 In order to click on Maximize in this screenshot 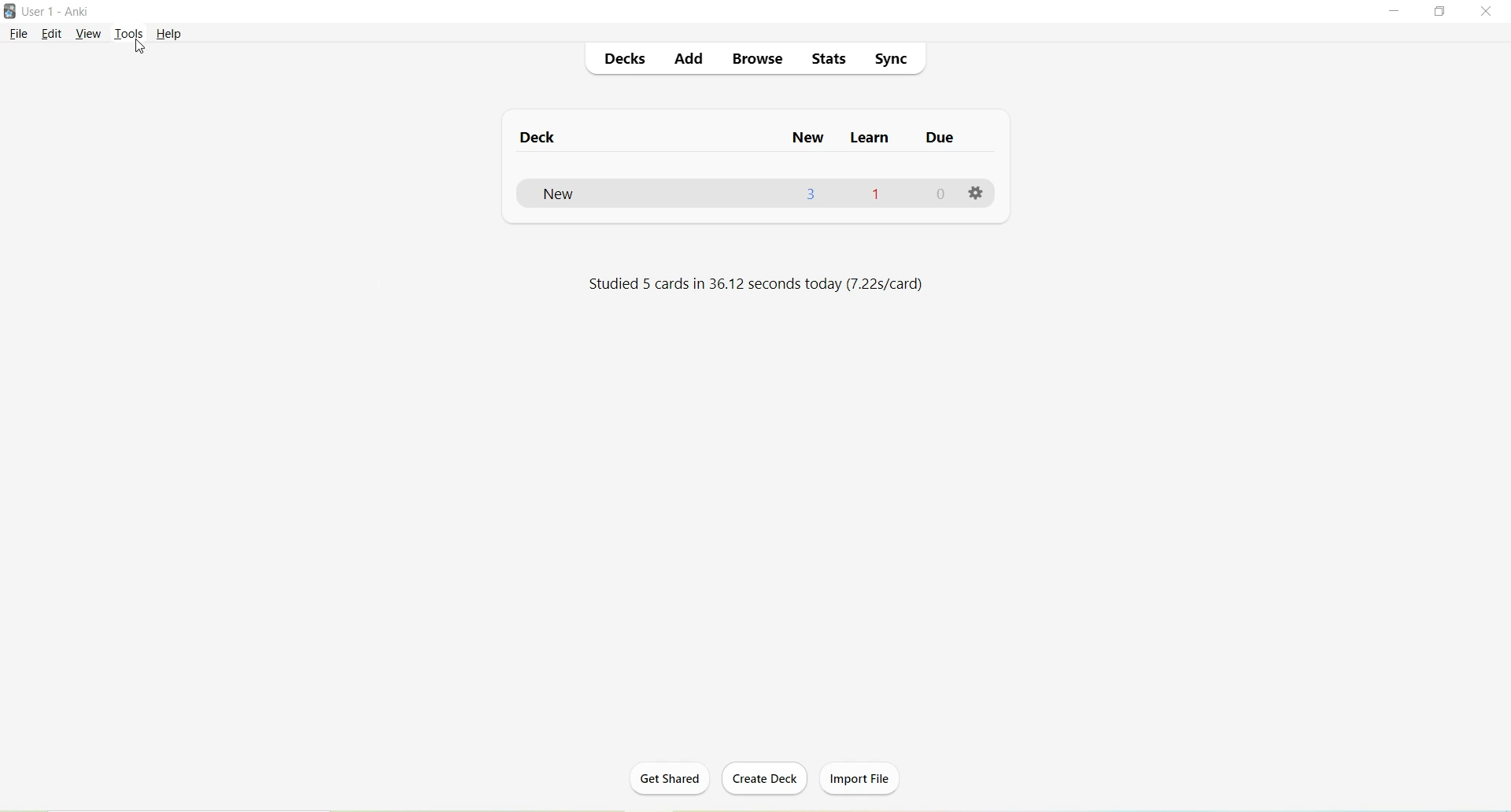, I will do `click(1445, 13)`.